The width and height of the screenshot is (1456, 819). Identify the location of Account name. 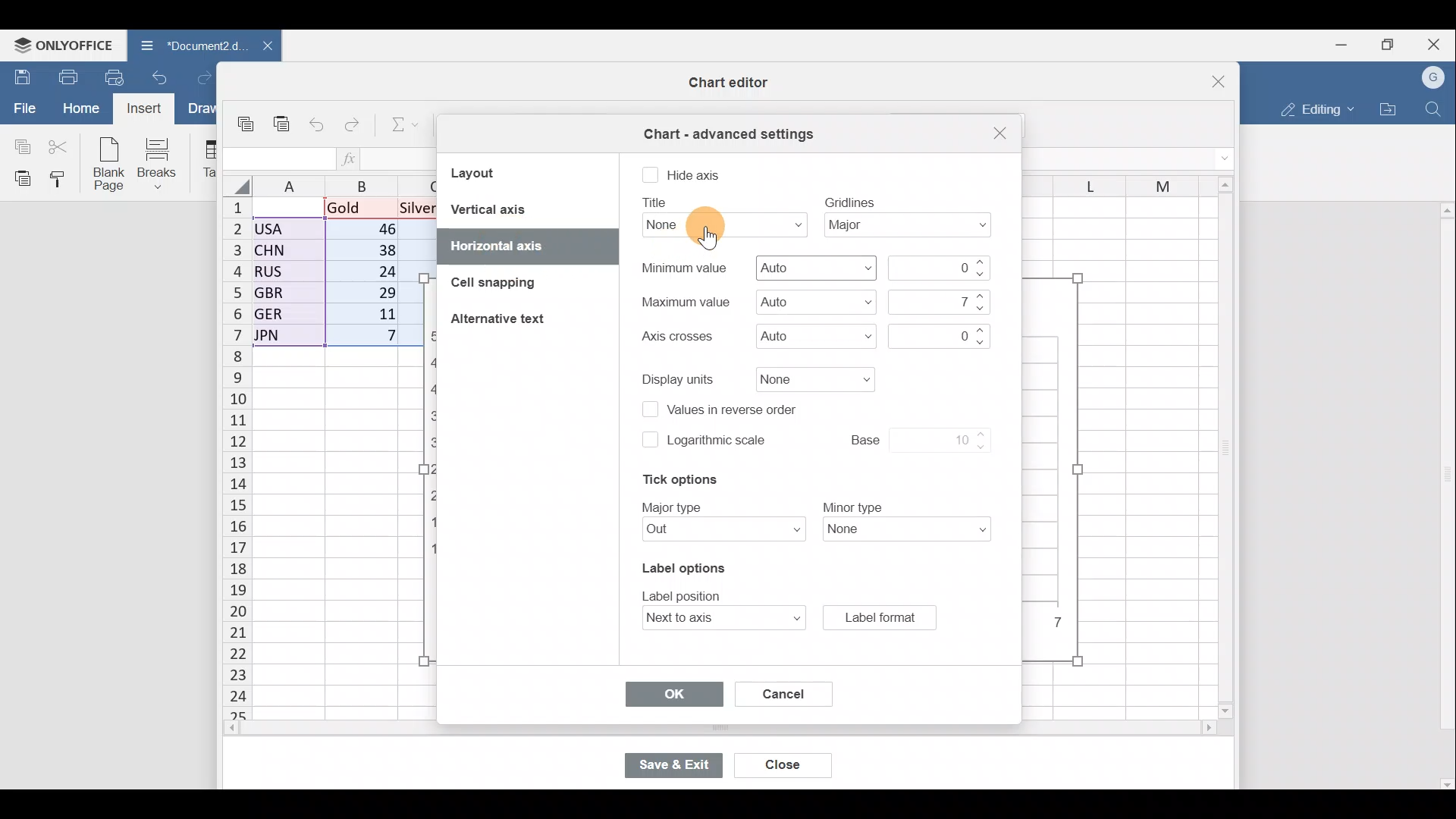
(1435, 76).